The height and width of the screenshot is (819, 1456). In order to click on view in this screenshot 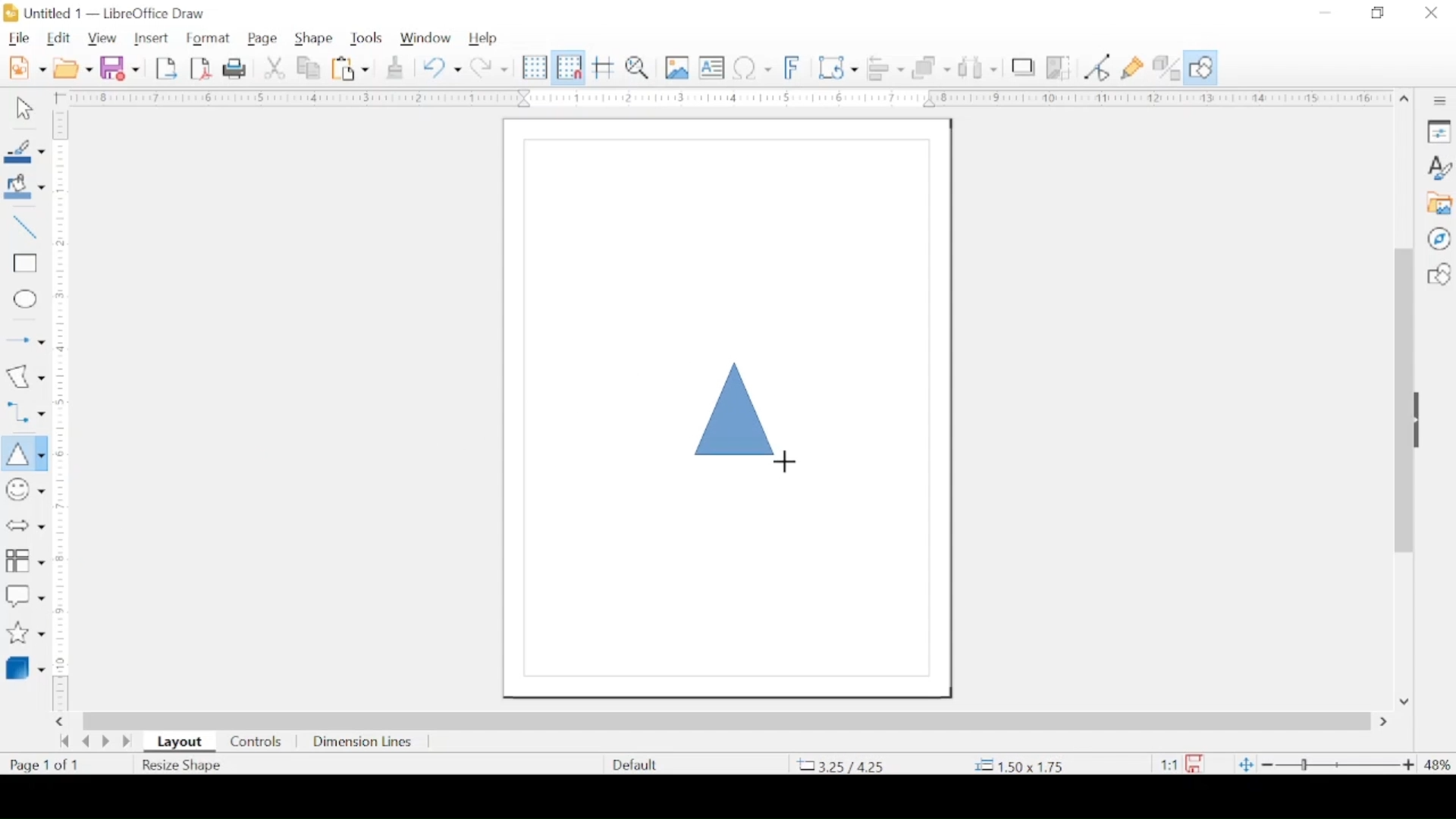, I will do `click(104, 37)`.